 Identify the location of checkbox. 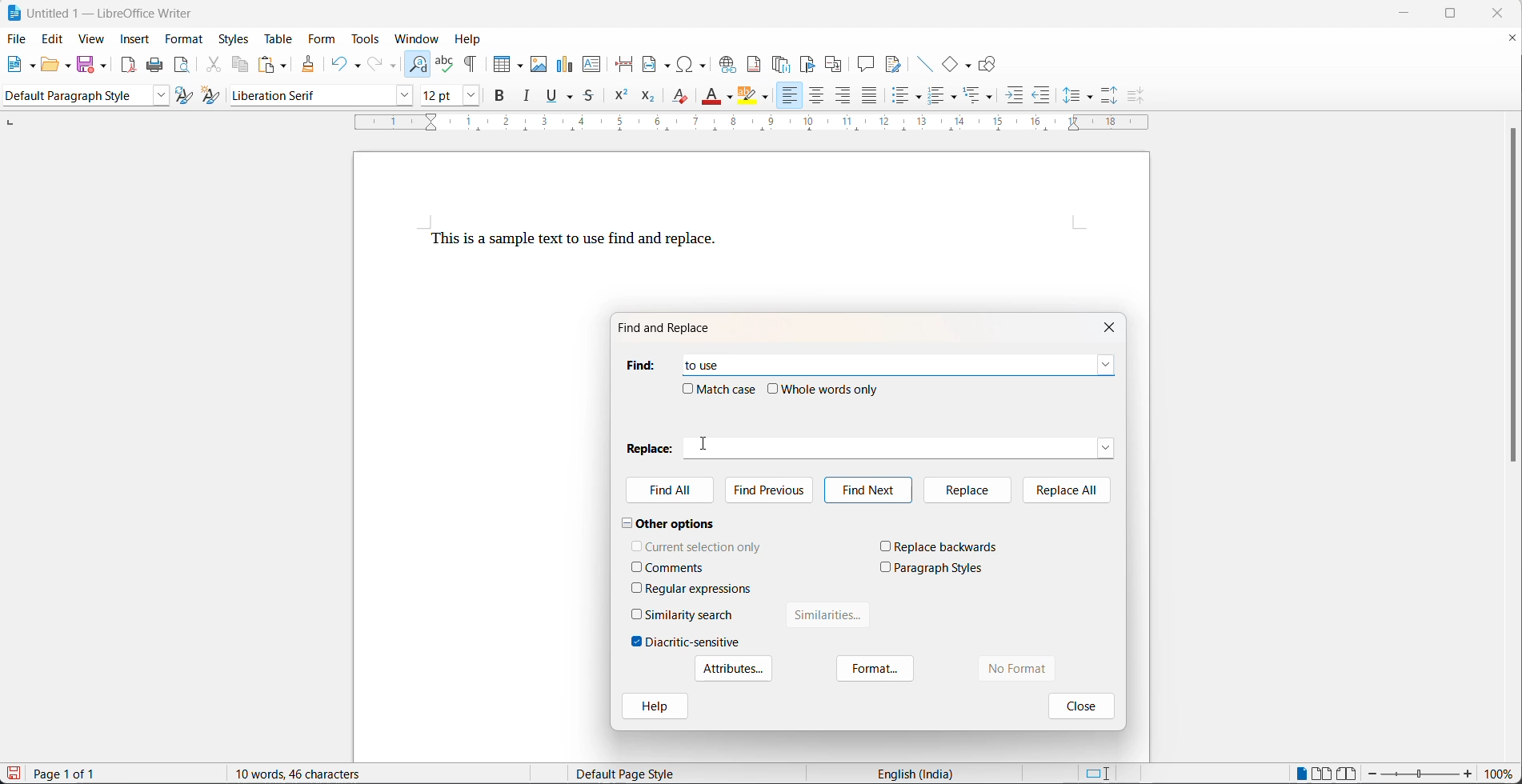
(638, 614).